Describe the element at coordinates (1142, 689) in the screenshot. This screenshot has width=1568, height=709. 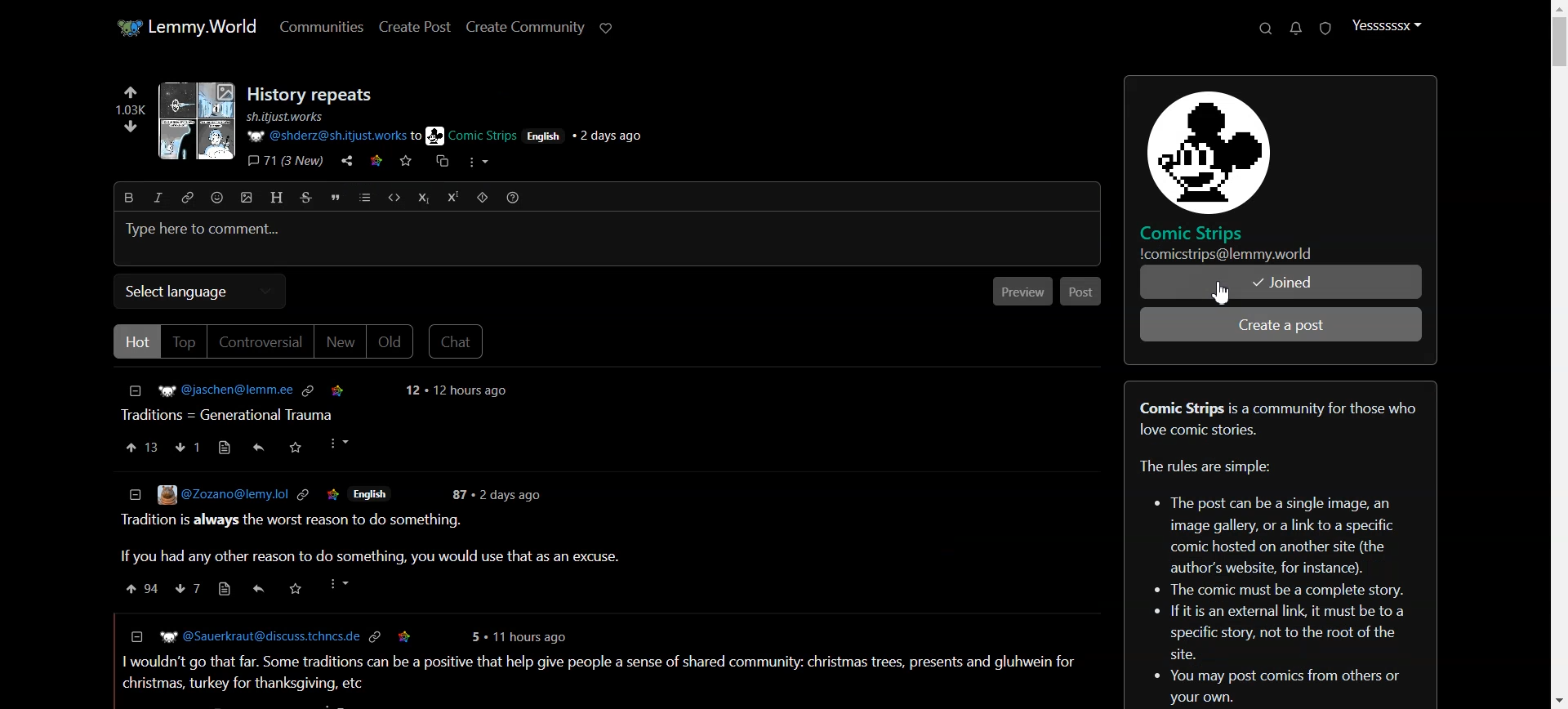
I see `* You may post comics from others or your own` at that location.